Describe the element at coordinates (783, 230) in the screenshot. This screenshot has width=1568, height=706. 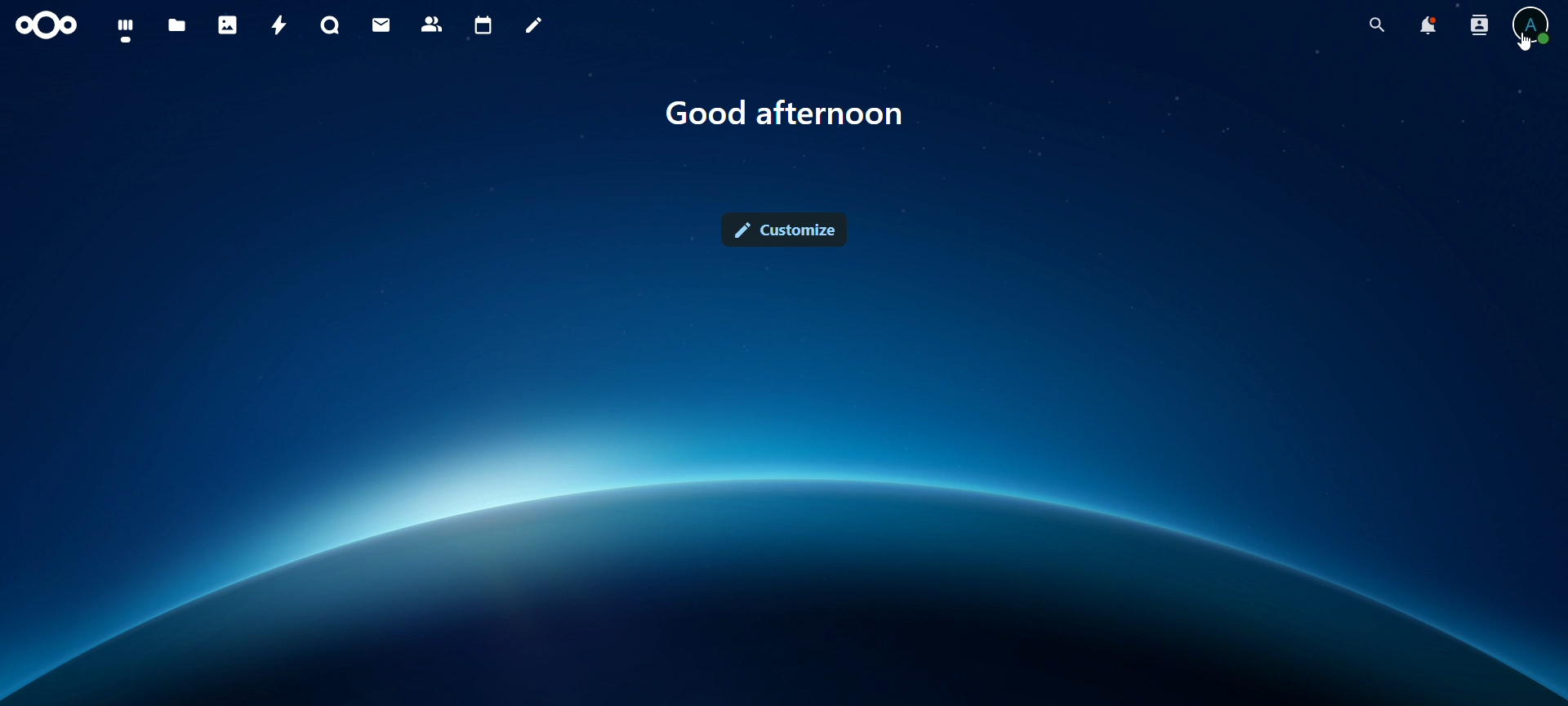
I see `customize` at that location.